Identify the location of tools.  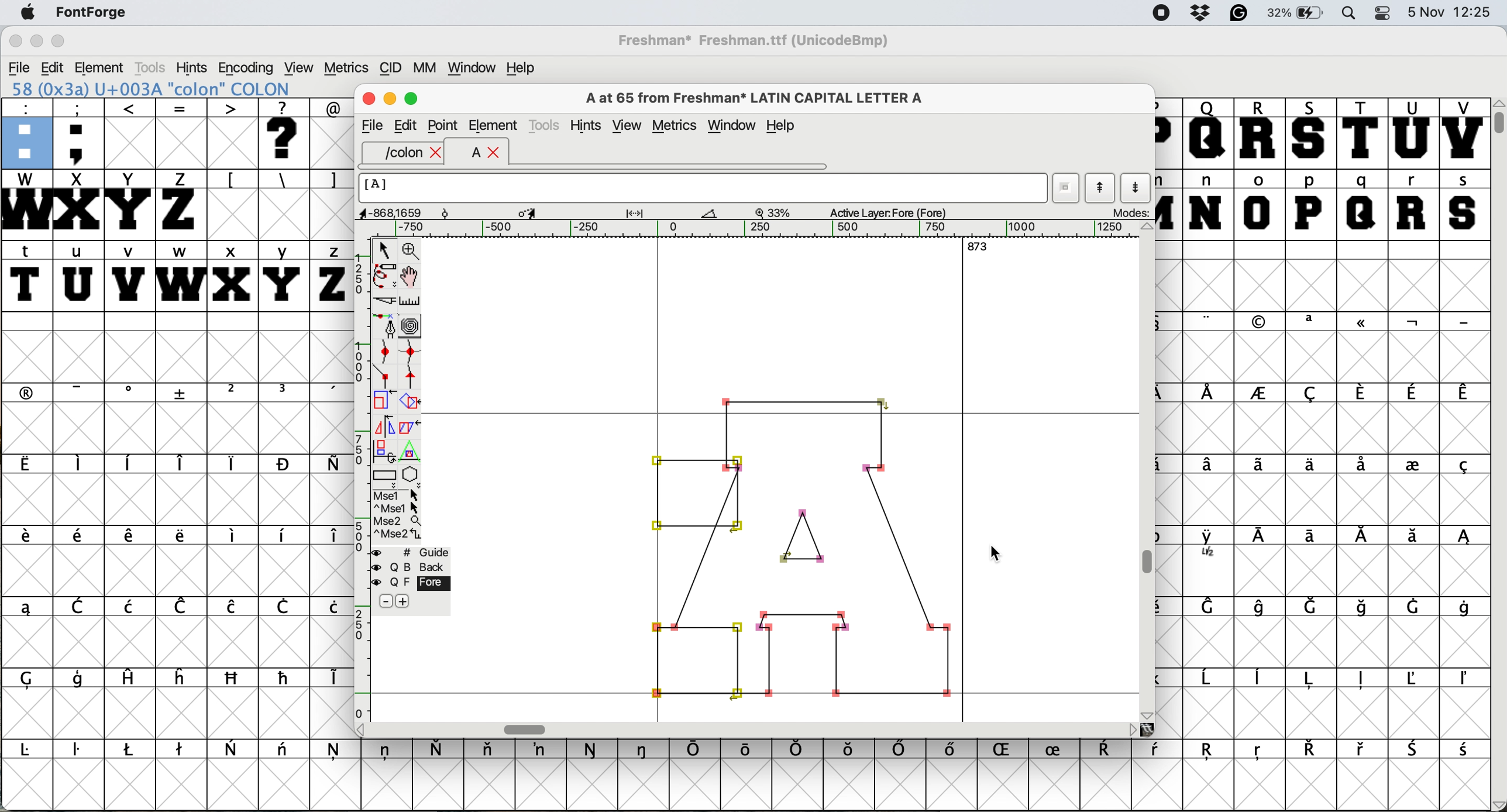
(155, 66).